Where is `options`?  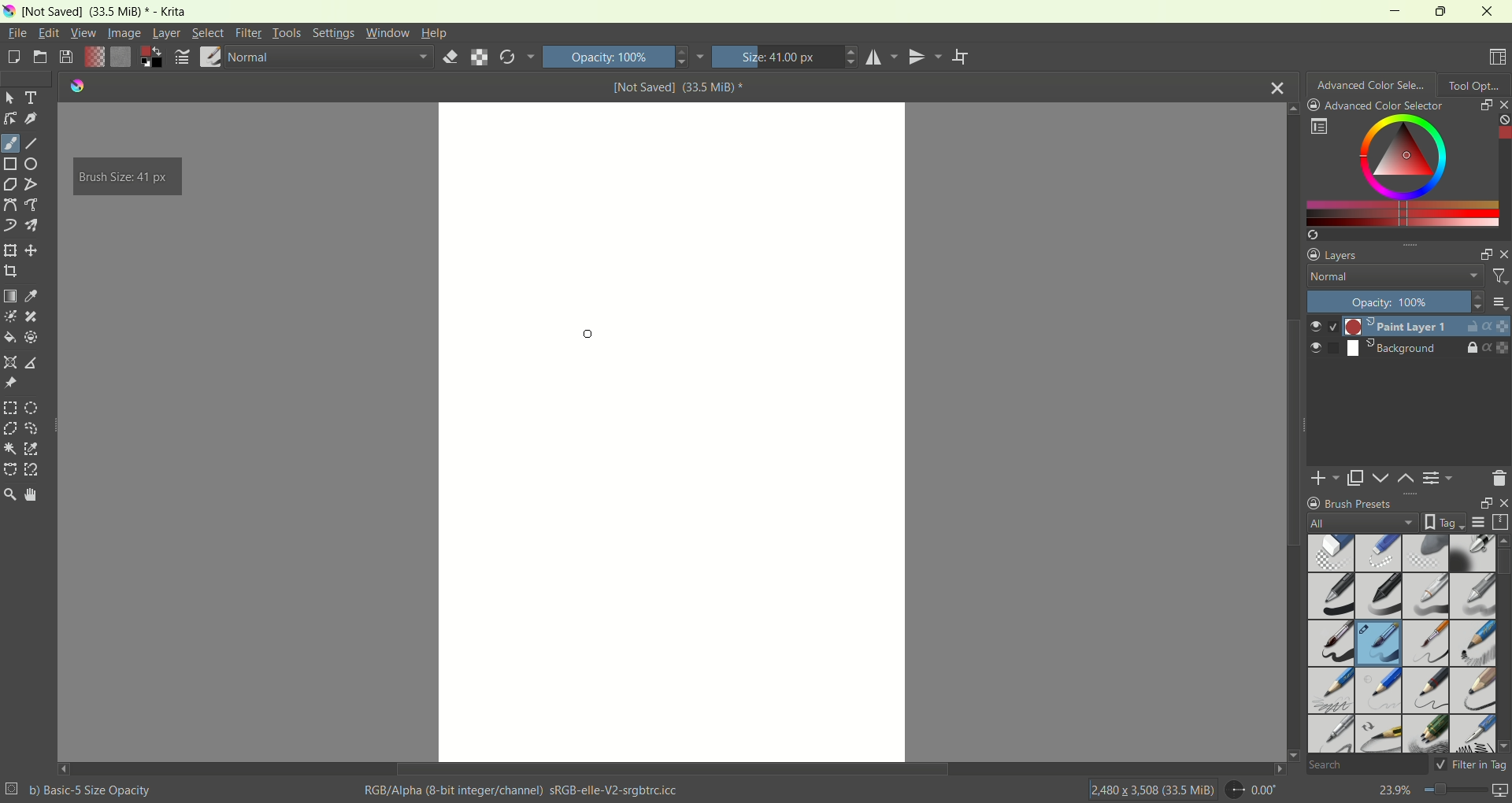
options is located at coordinates (1318, 127).